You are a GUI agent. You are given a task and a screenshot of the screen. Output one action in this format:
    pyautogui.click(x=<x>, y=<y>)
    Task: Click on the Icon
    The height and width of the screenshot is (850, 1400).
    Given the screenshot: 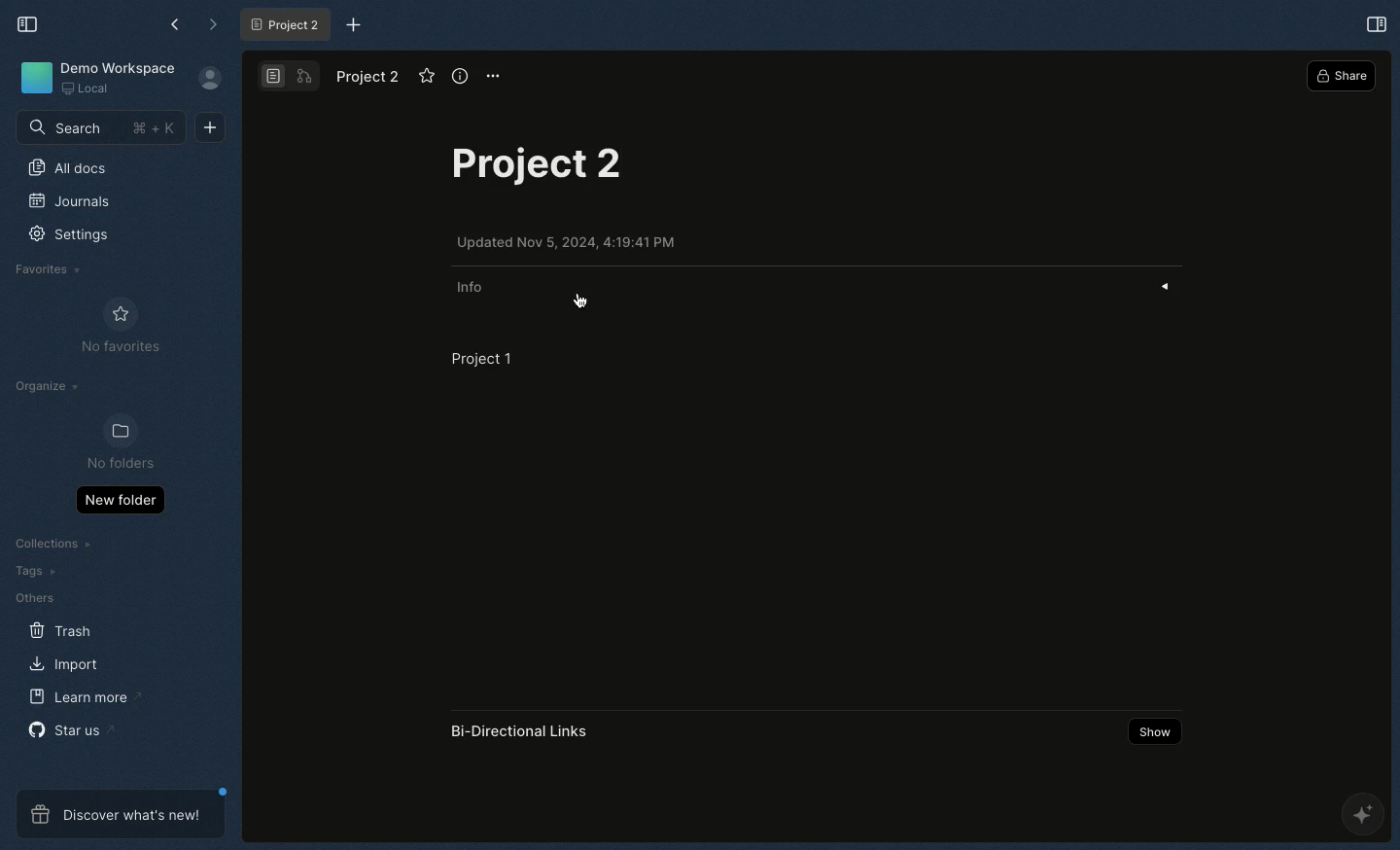 What is the action you would take?
    pyautogui.click(x=32, y=78)
    